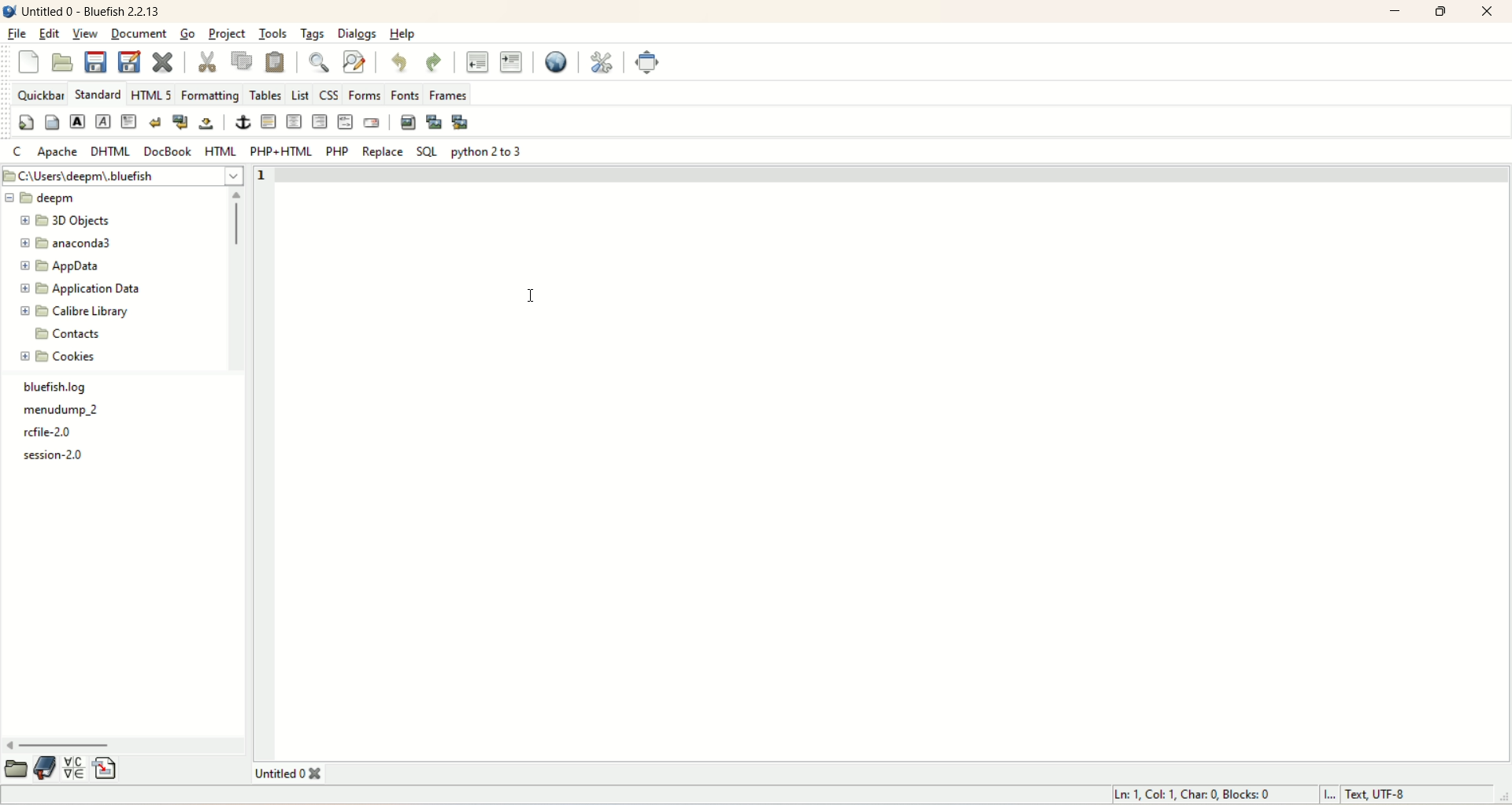 The image size is (1512, 805). I want to click on go, so click(187, 35).